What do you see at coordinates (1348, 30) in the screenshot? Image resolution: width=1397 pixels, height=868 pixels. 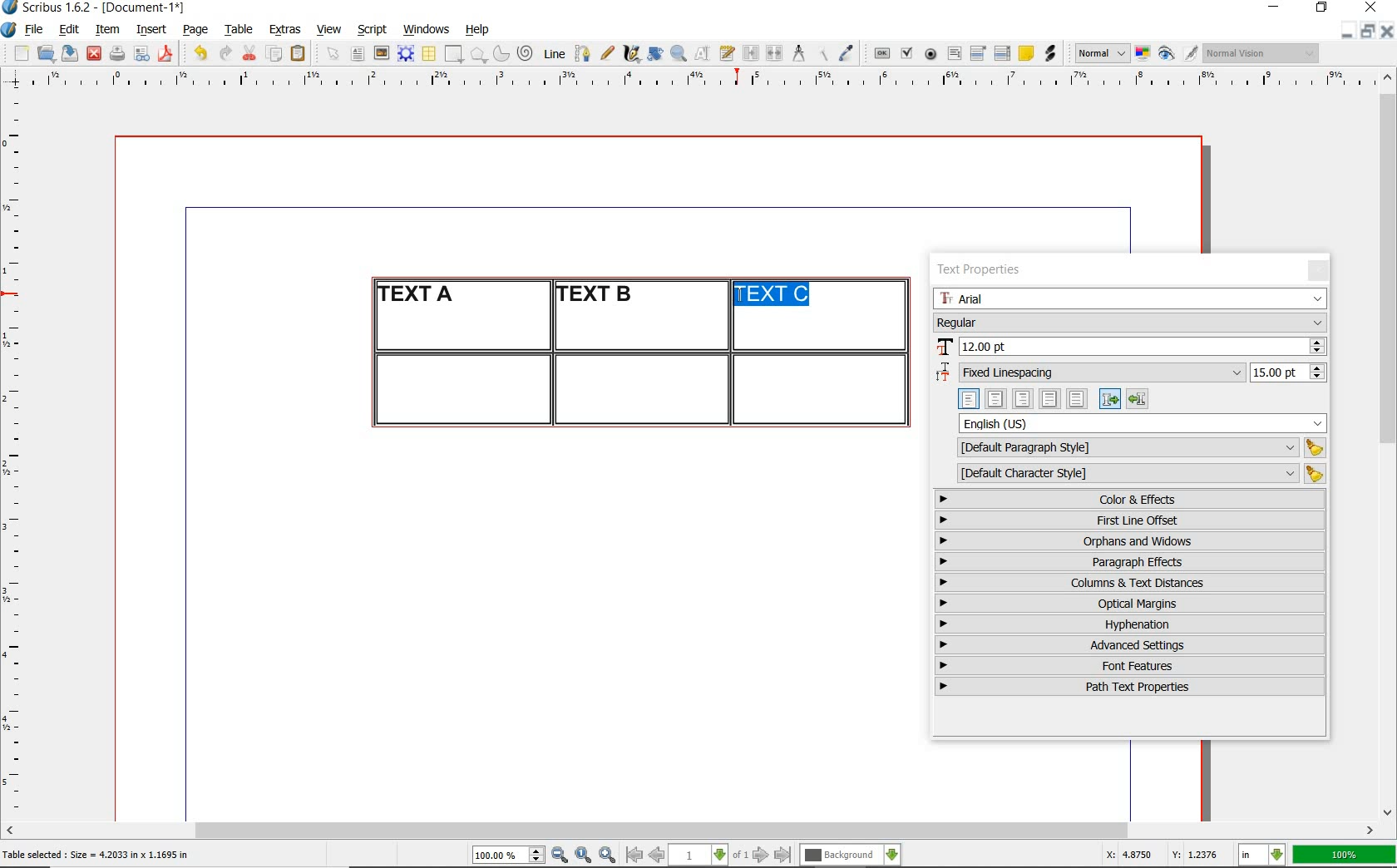 I see `minimize` at bounding box center [1348, 30].